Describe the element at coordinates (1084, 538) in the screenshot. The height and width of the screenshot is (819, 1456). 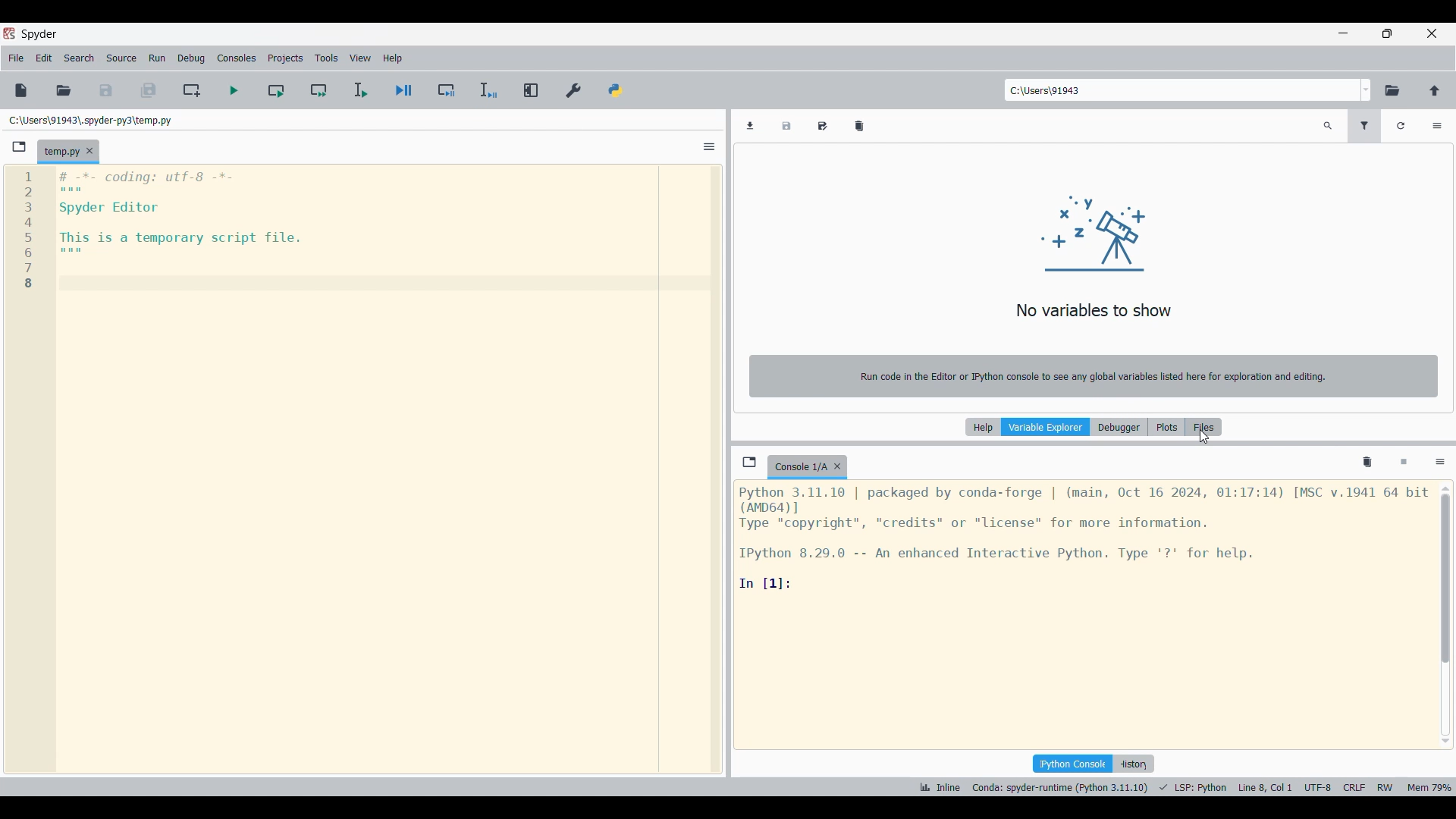
I see `Code details` at that location.